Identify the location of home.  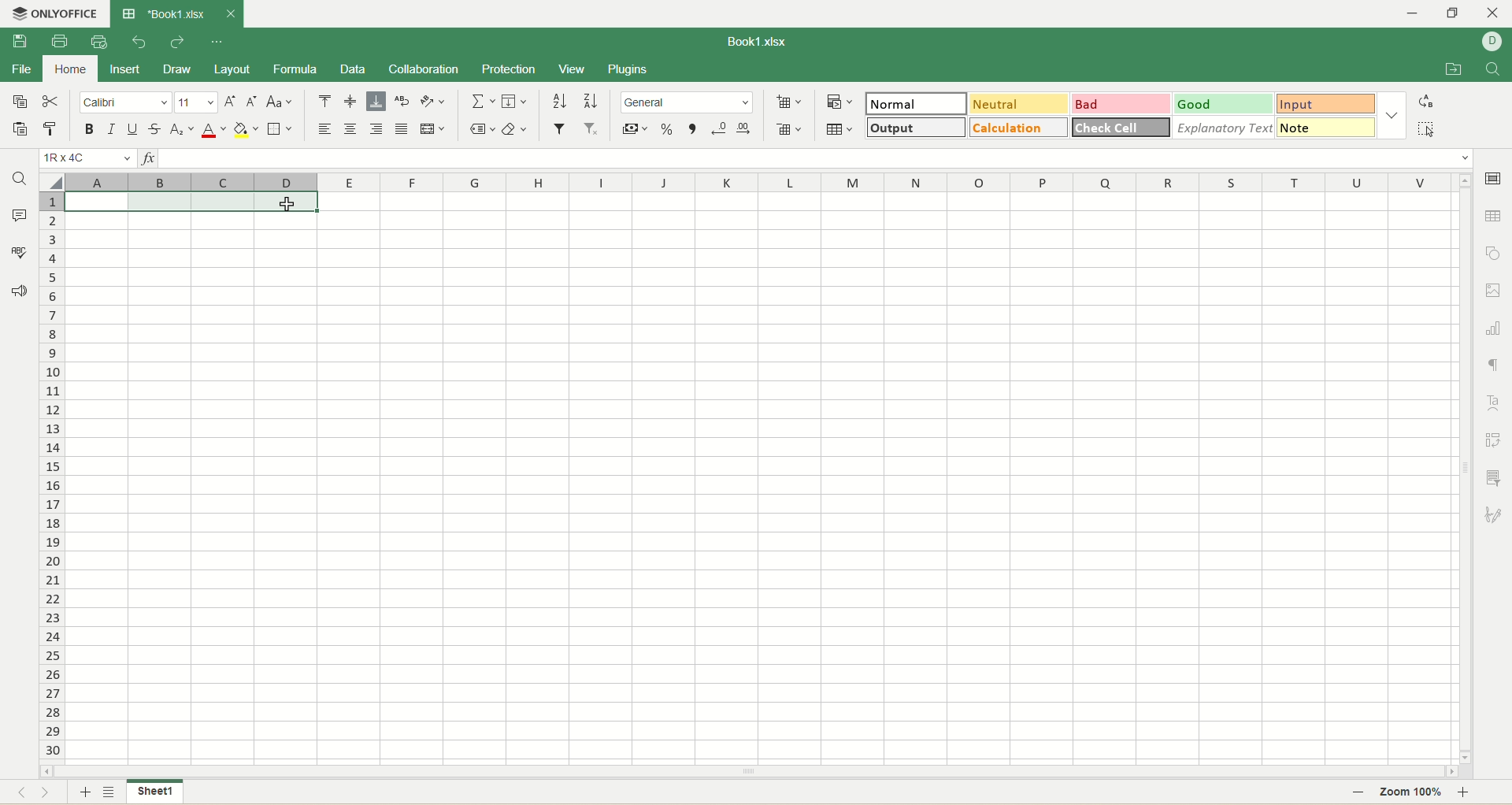
(65, 70).